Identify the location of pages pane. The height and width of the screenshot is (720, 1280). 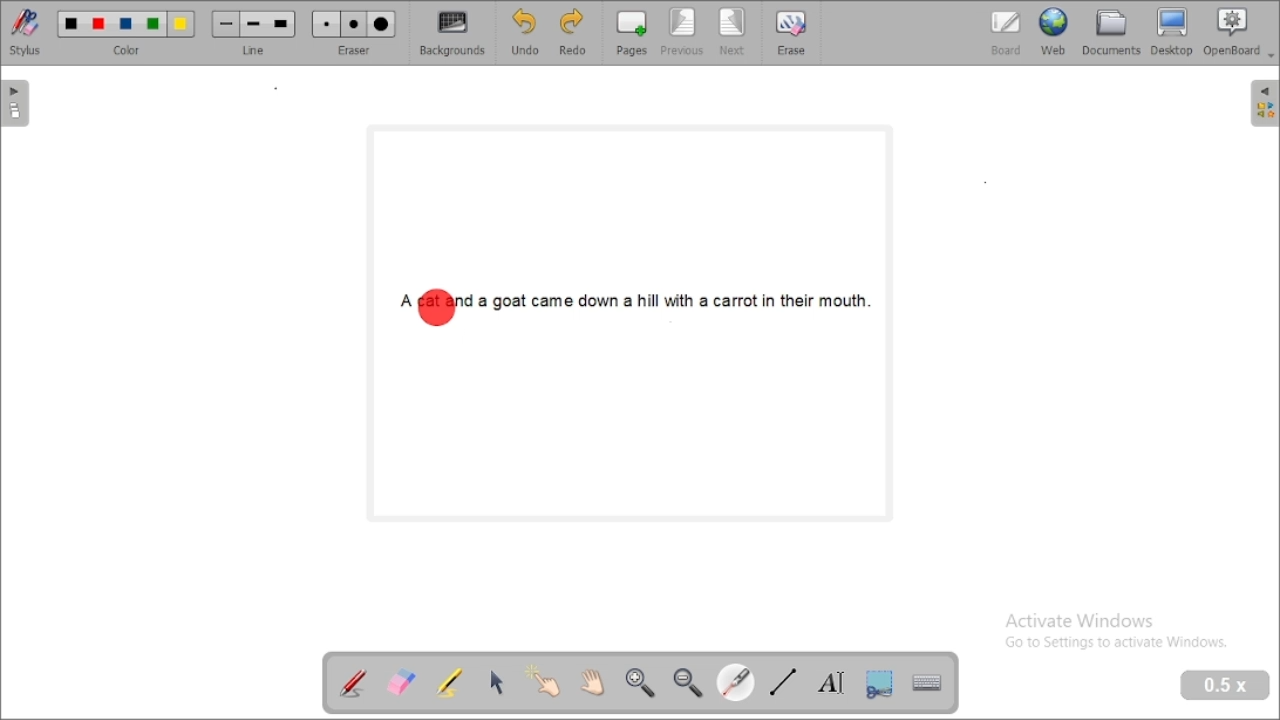
(18, 103).